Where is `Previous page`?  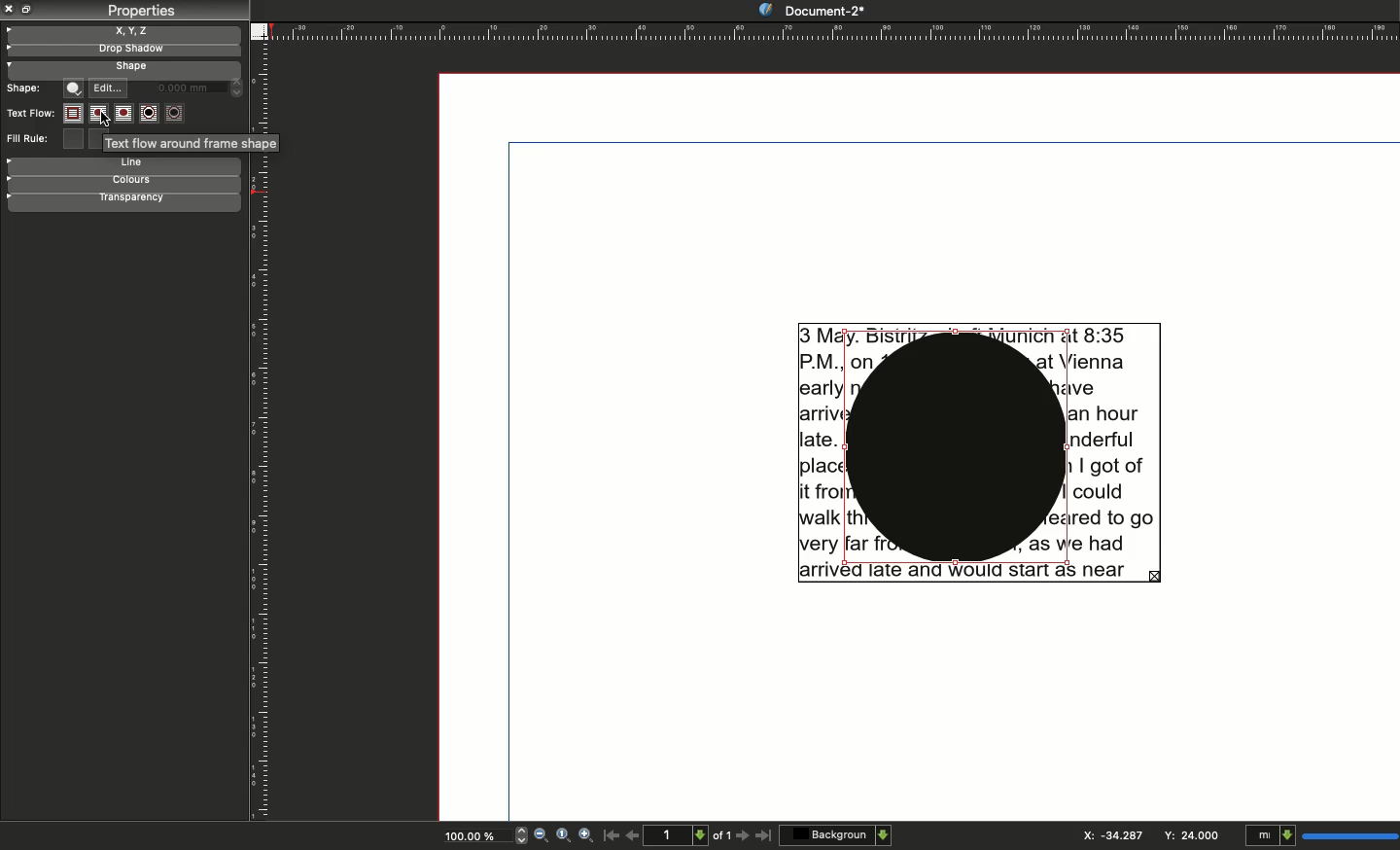 Previous page is located at coordinates (633, 833).